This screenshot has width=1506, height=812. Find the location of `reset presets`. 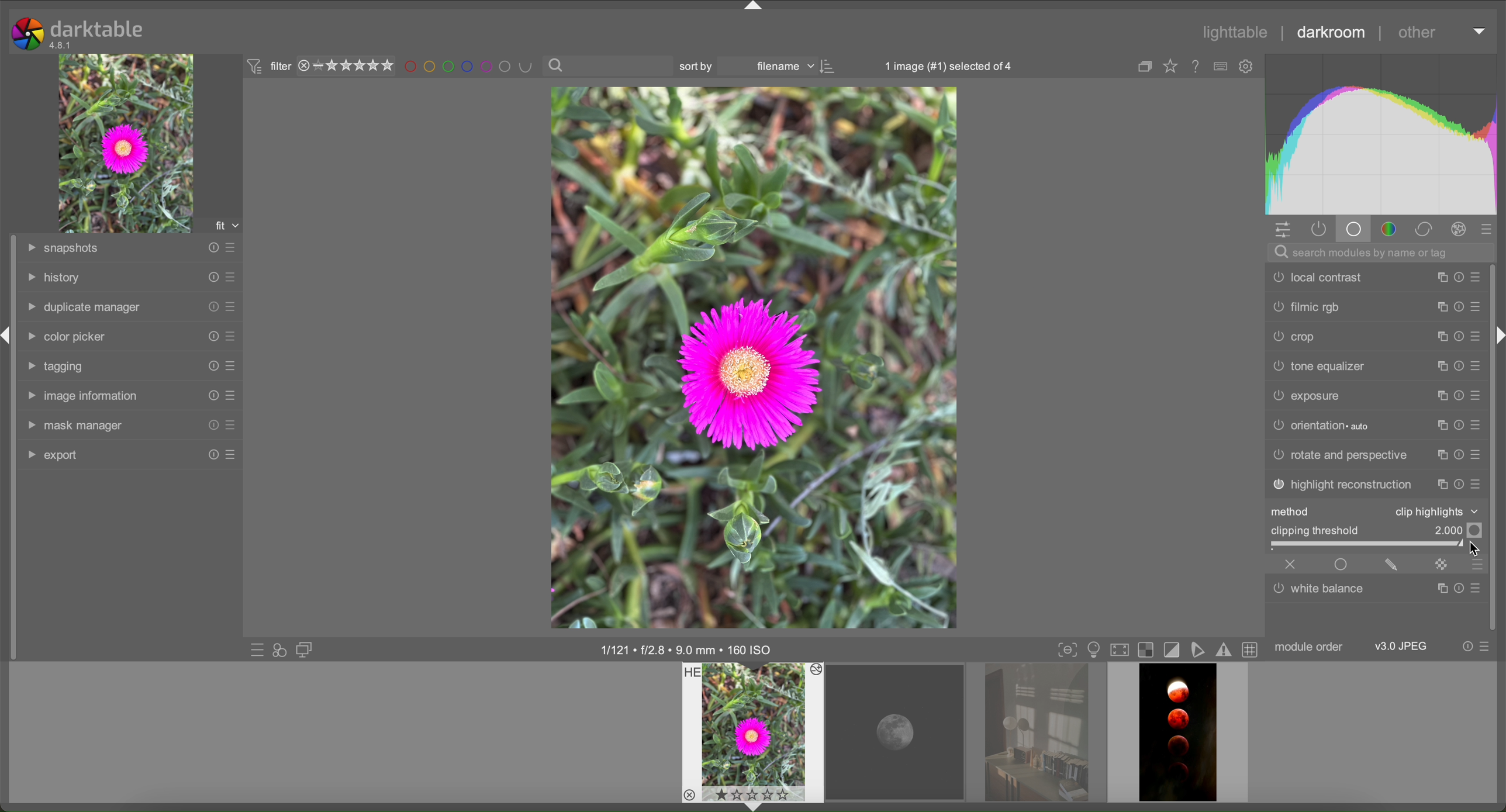

reset presets is located at coordinates (210, 366).